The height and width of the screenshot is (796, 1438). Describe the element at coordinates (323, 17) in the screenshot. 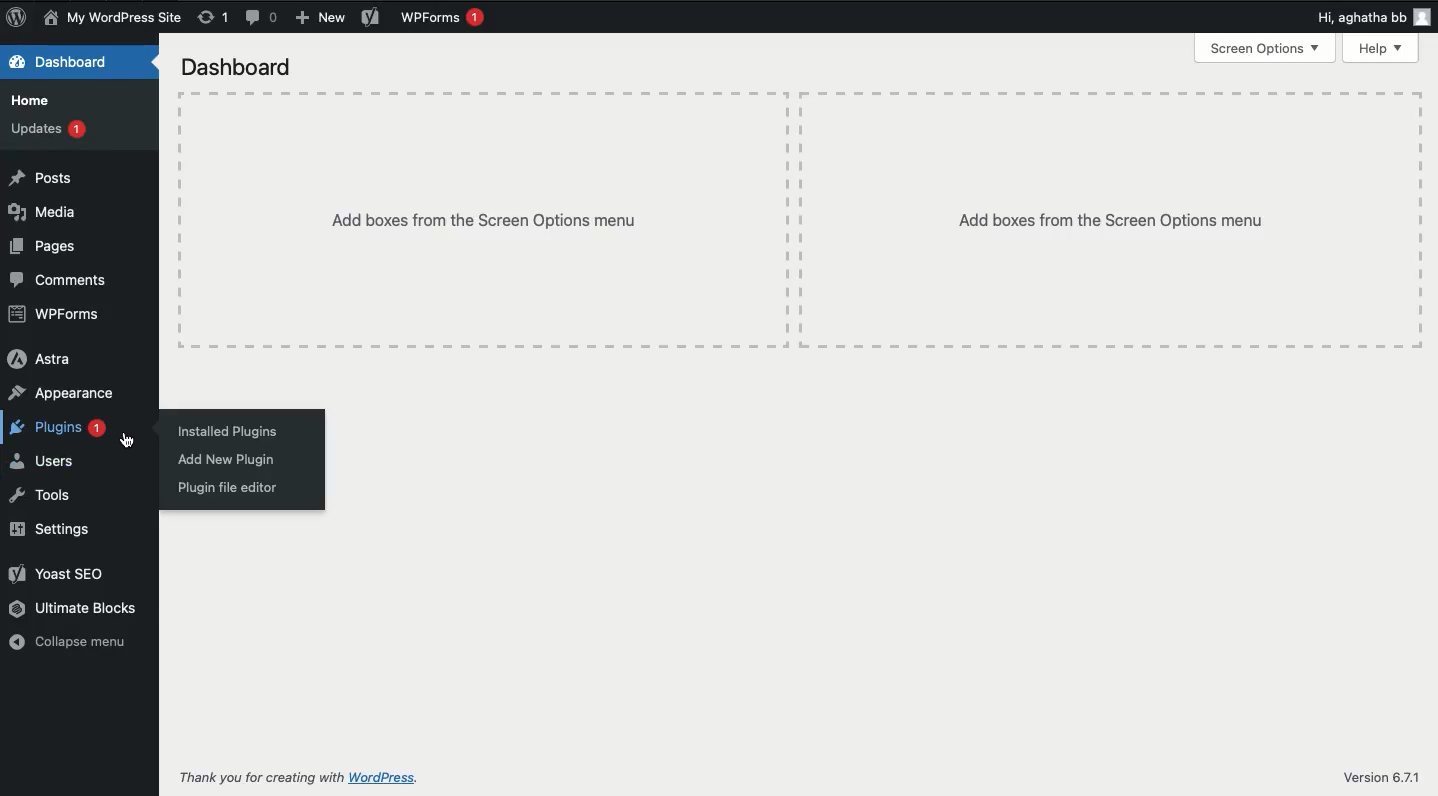

I see `New` at that location.